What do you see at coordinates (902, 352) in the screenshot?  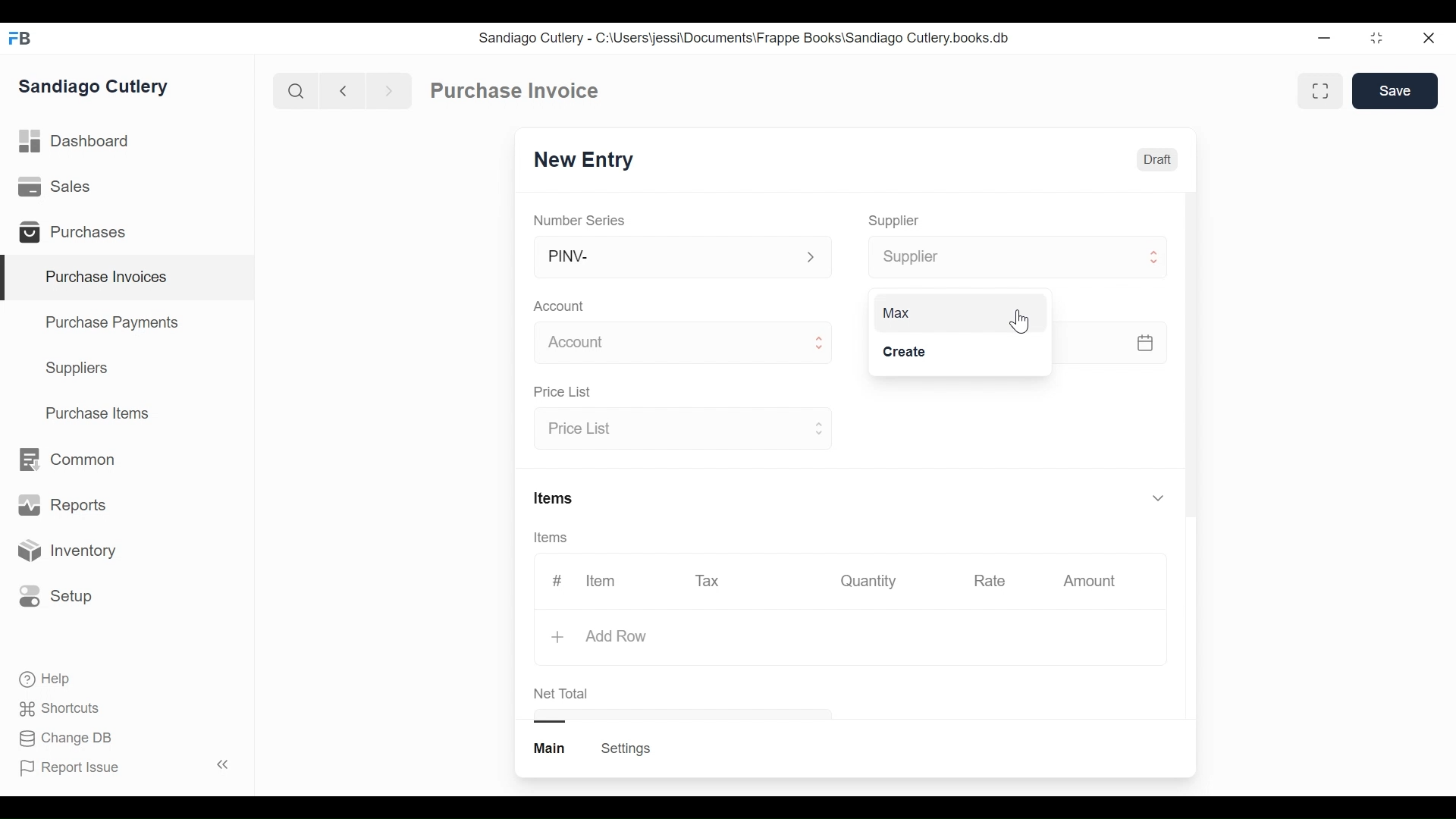 I see `Create` at bounding box center [902, 352].